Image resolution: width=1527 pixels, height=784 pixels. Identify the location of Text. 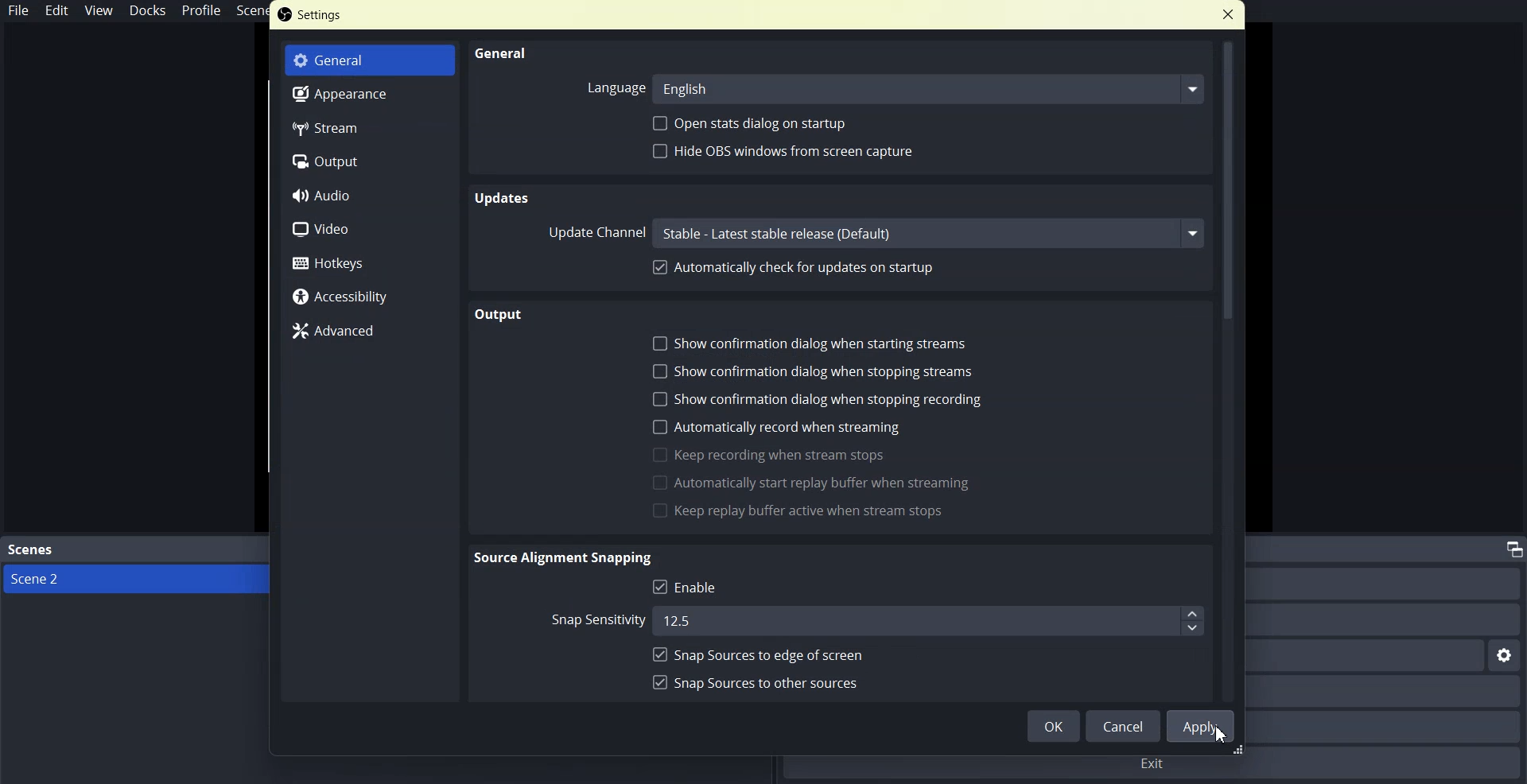
(500, 314).